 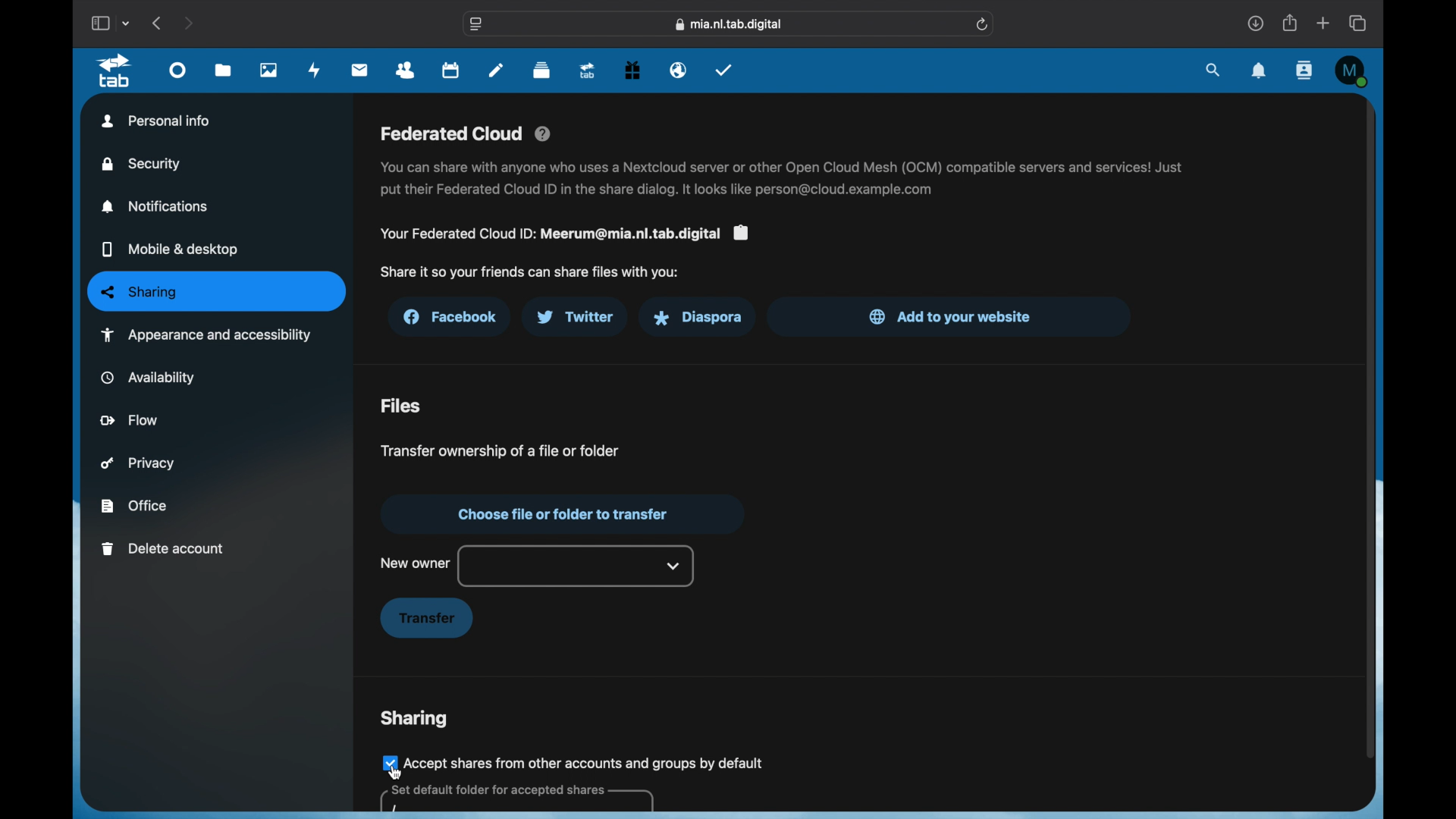 I want to click on activity, so click(x=317, y=71).